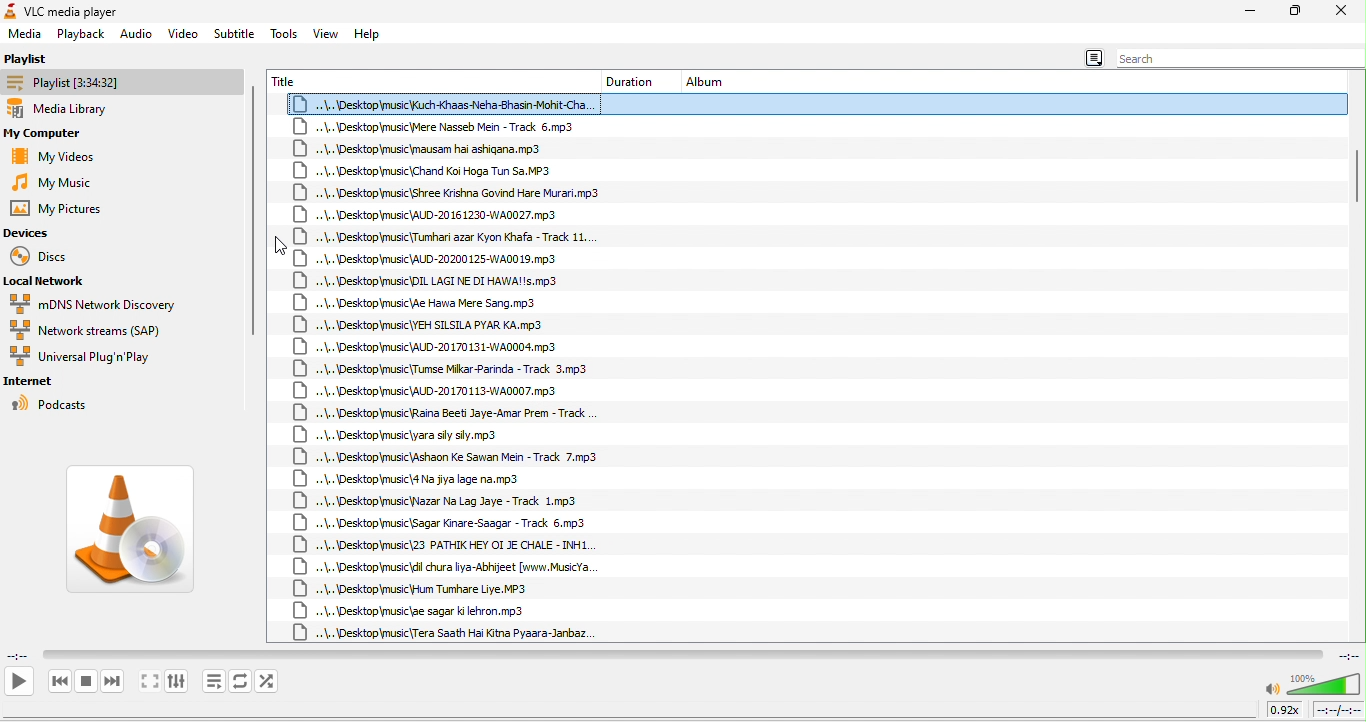 This screenshot has width=1366, height=722. What do you see at coordinates (149, 683) in the screenshot?
I see `toggle the video in  fullscreen` at bounding box center [149, 683].